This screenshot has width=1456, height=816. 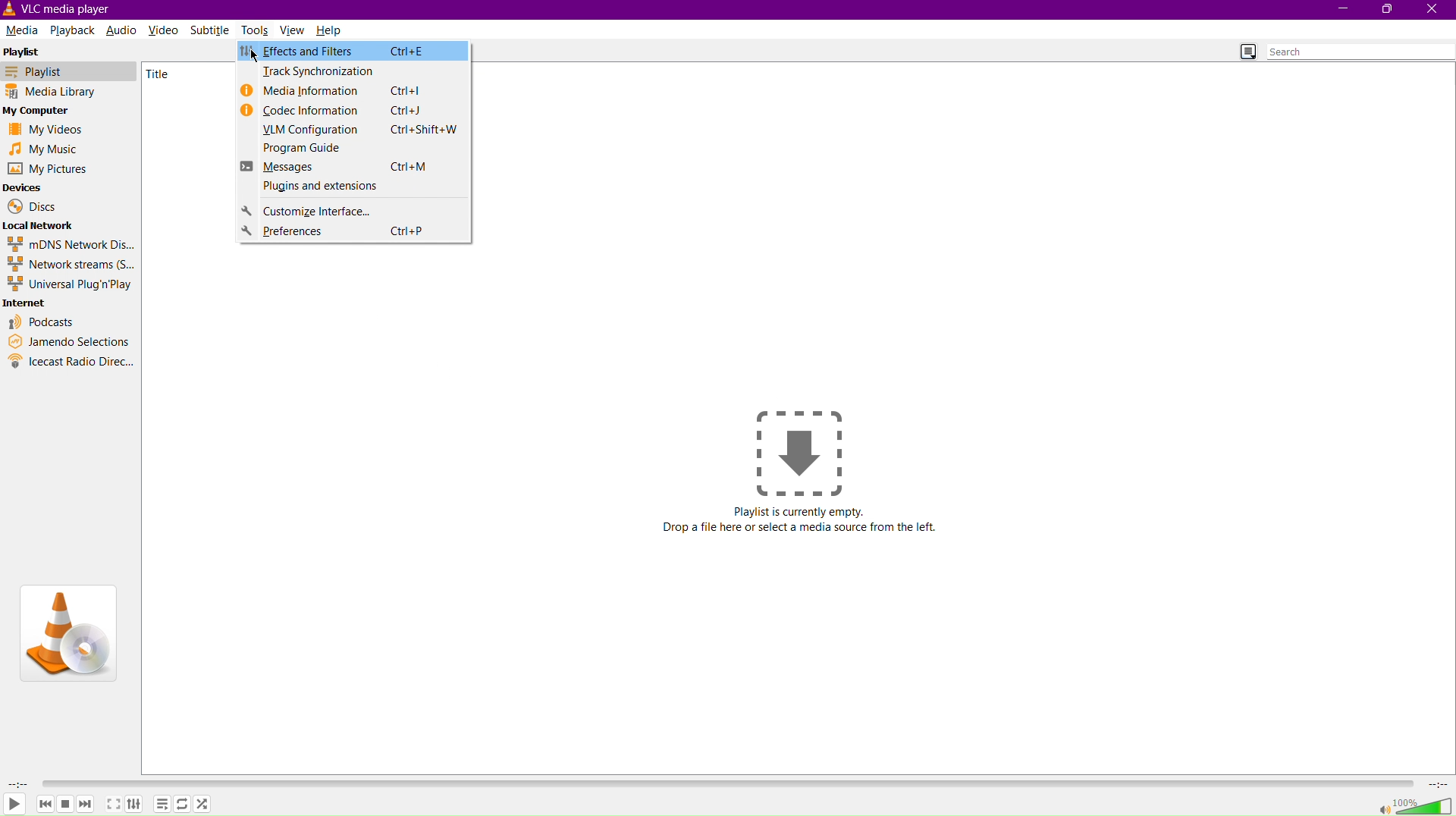 I want to click on Drop a file here or select  media source from the left, so click(x=805, y=528).